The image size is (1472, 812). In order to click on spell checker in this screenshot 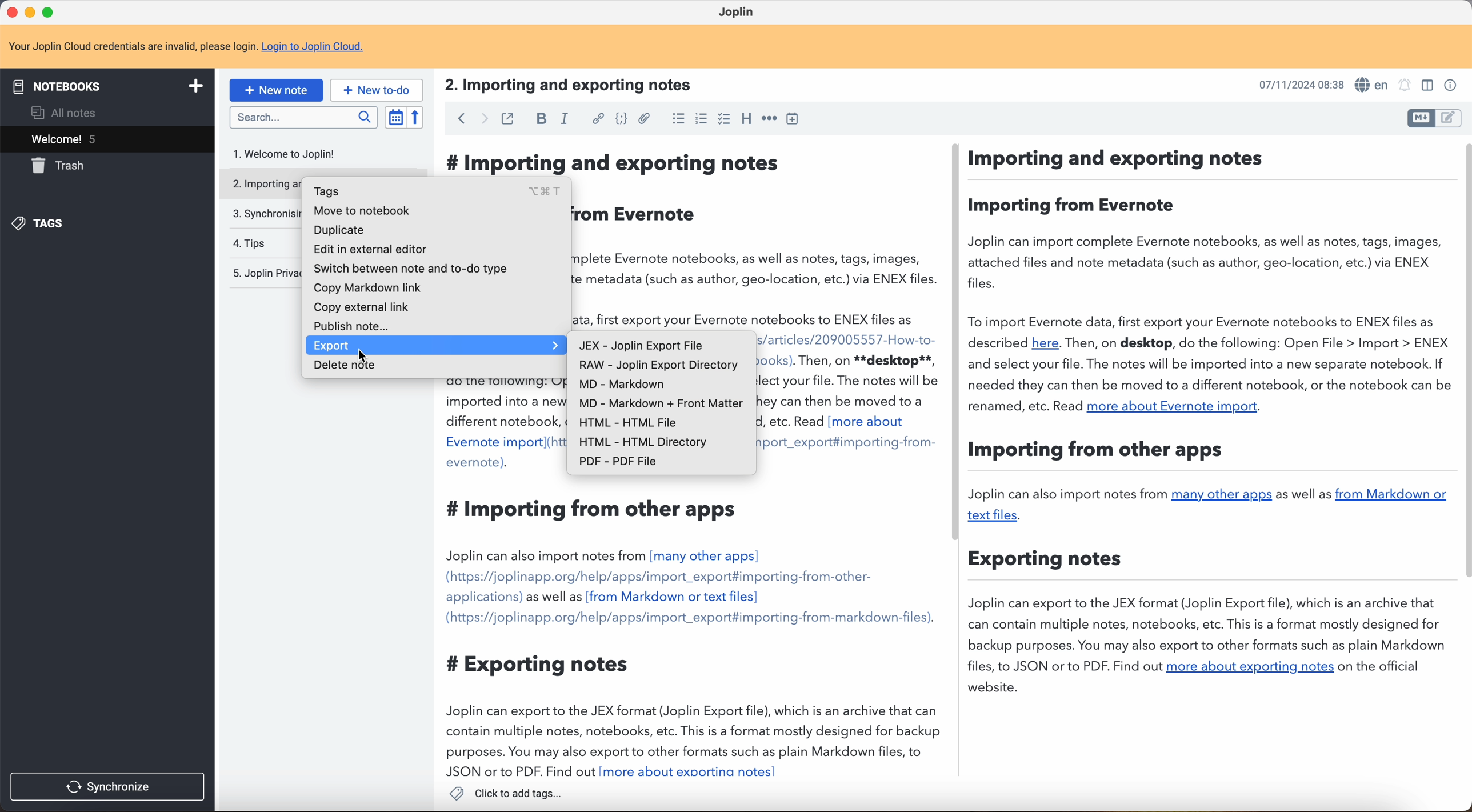, I will do `click(1372, 83)`.